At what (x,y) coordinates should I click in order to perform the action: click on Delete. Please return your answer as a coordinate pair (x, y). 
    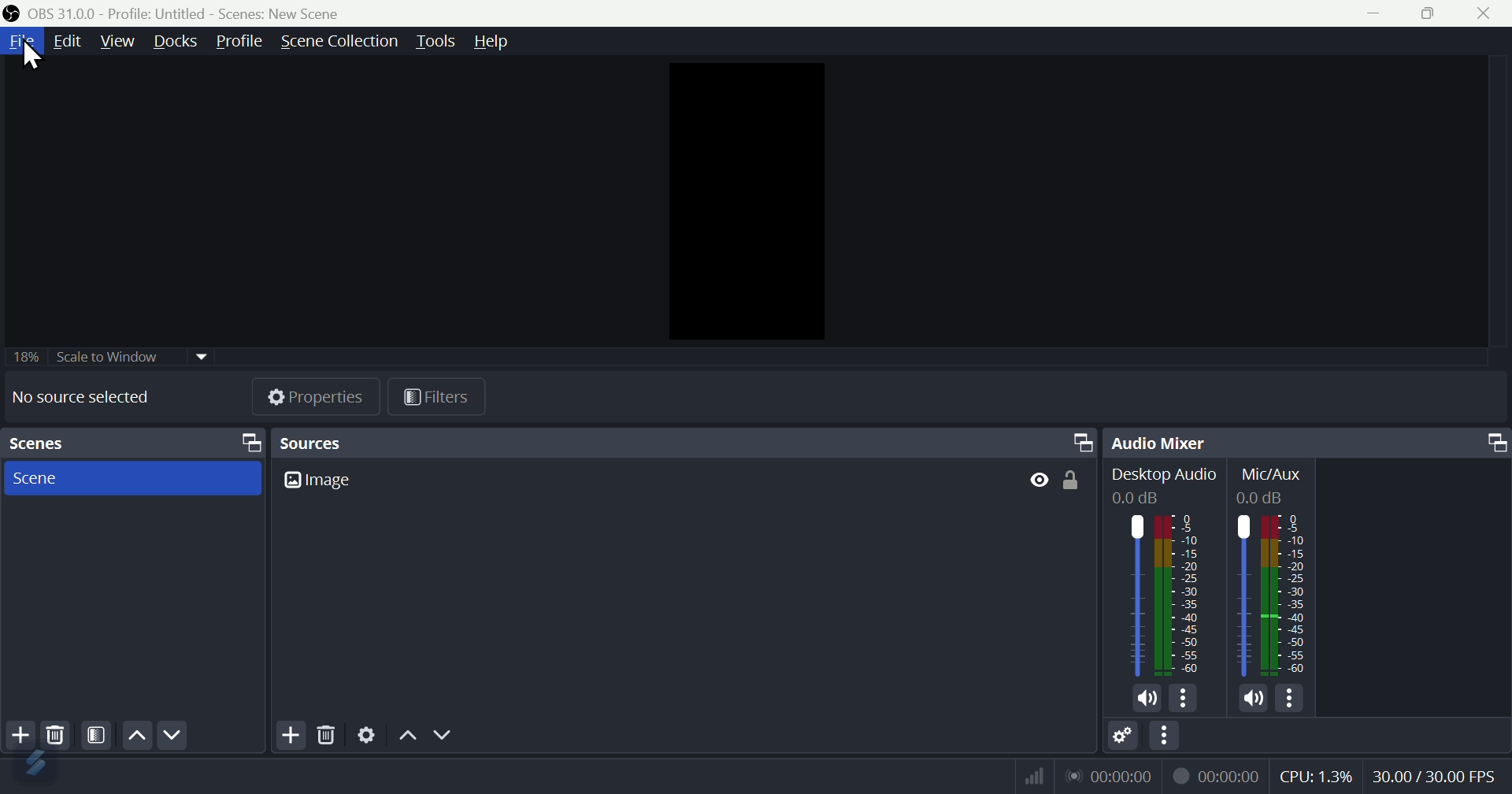
    Looking at the image, I should click on (56, 735).